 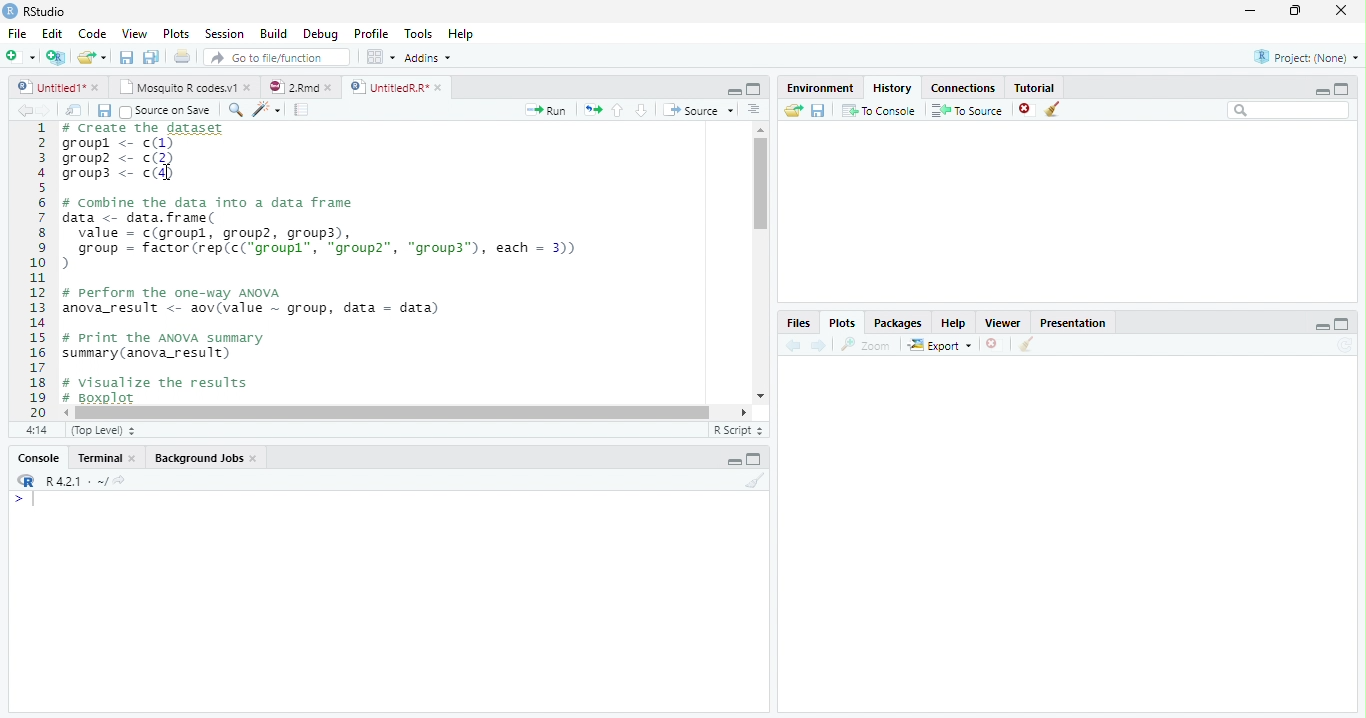 What do you see at coordinates (169, 111) in the screenshot?
I see `Source on save` at bounding box center [169, 111].